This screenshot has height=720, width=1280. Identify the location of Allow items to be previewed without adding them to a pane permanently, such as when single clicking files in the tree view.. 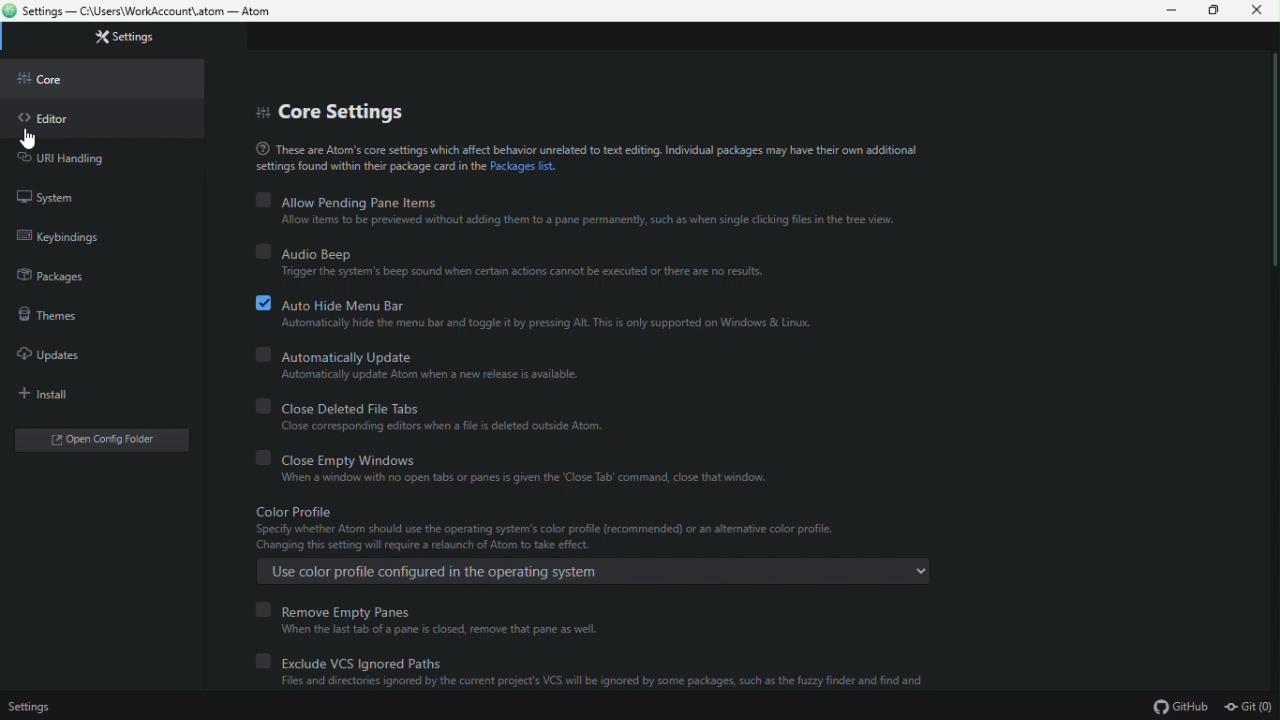
(588, 223).